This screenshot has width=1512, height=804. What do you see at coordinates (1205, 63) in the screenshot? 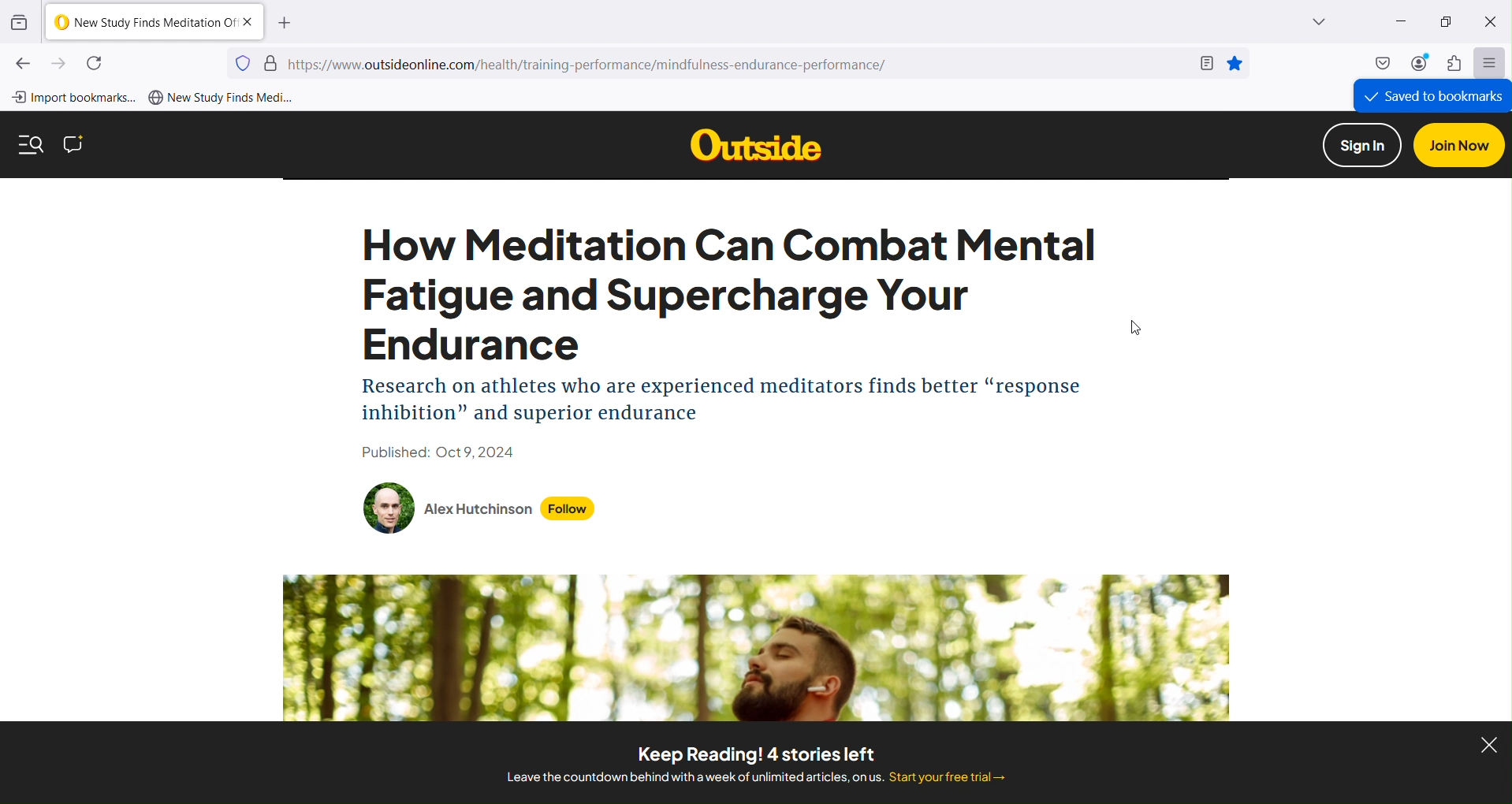
I see `Toggle reader view` at bounding box center [1205, 63].